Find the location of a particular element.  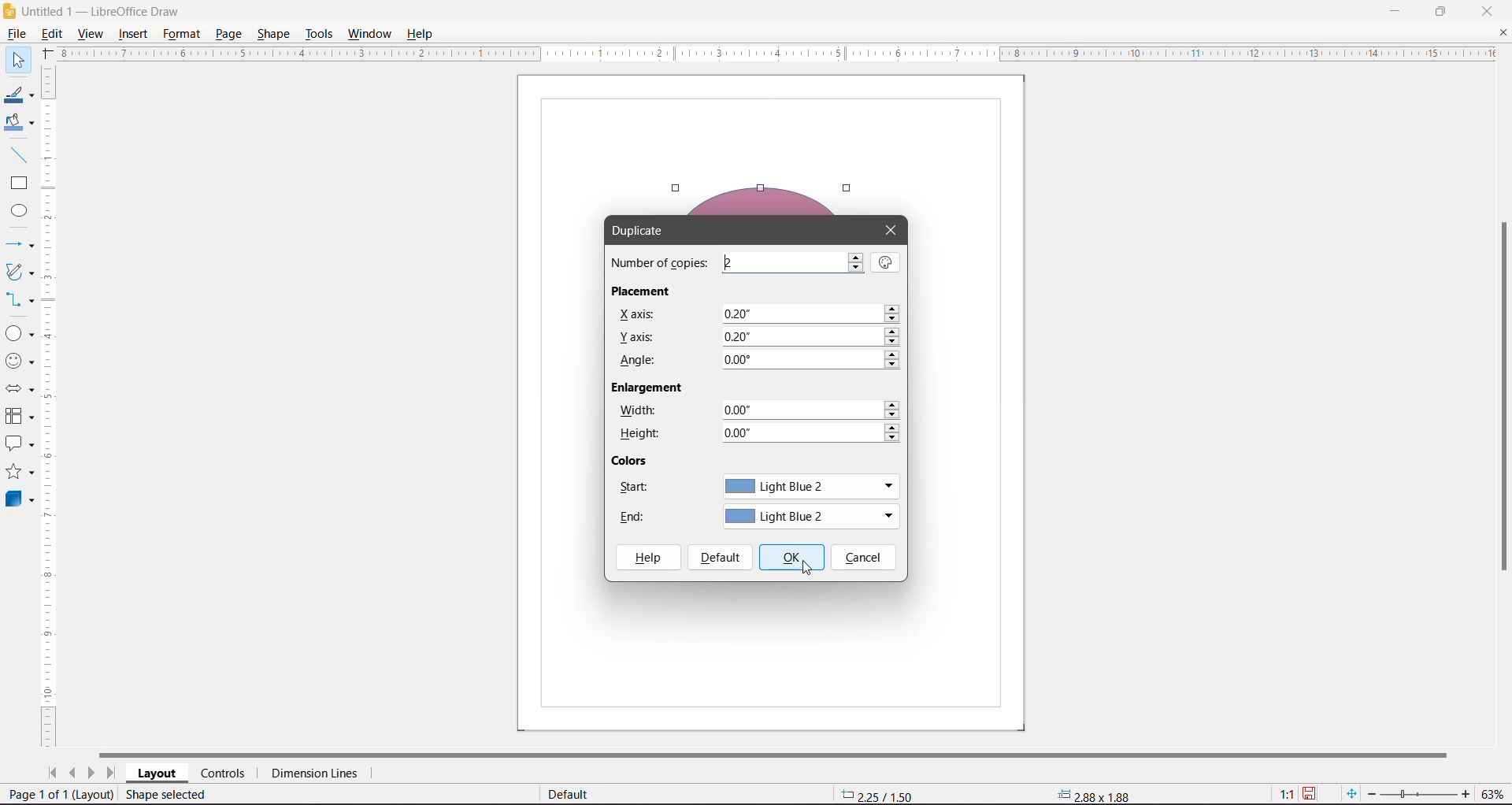

Colors is located at coordinates (635, 461).